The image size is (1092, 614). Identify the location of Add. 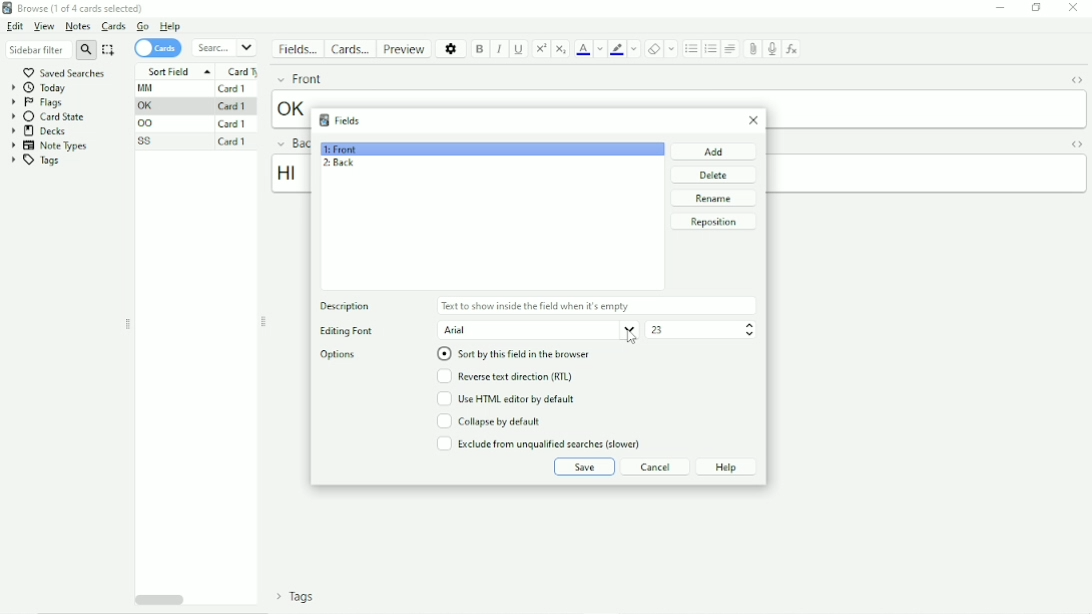
(713, 151).